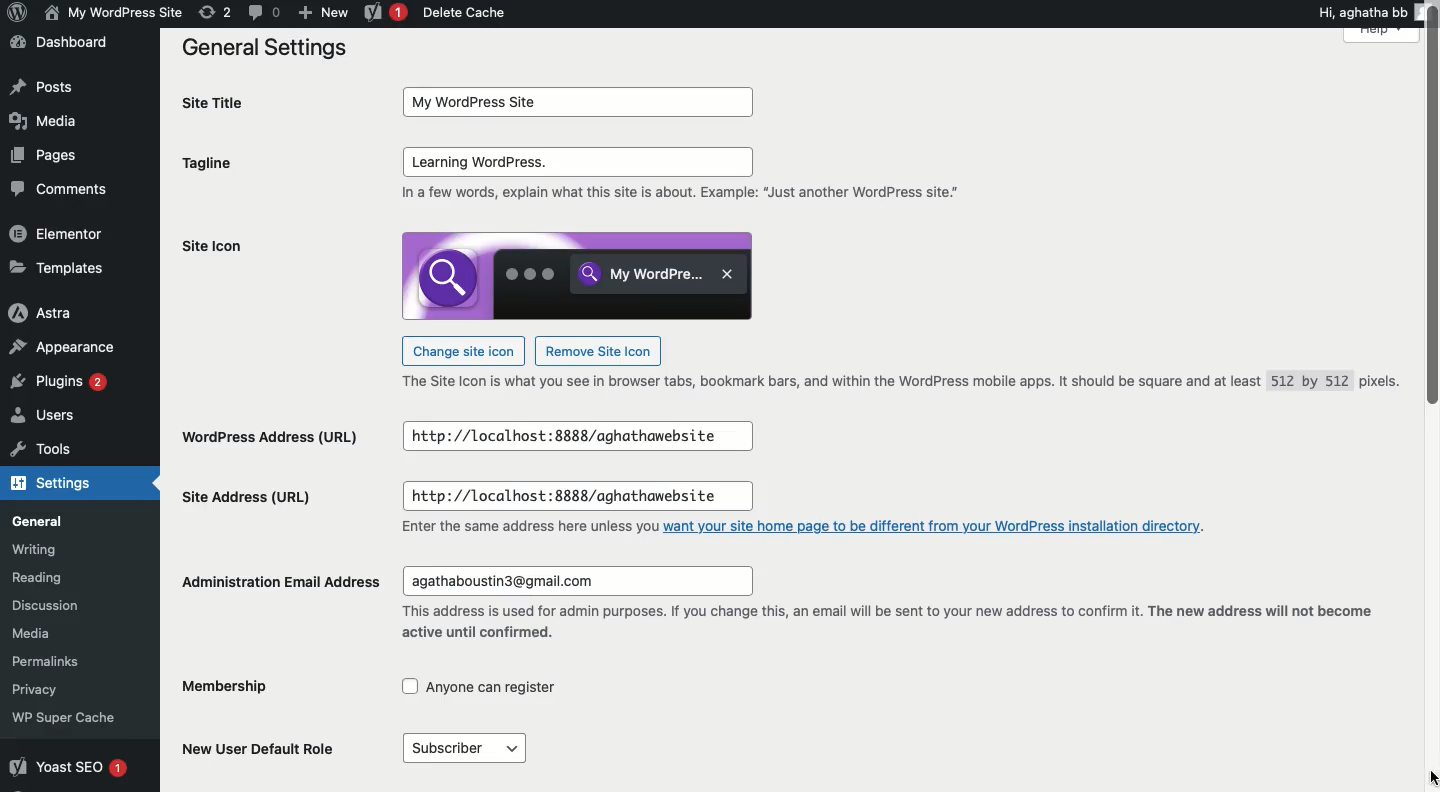 Image resolution: width=1440 pixels, height=792 pixels. What do you see at coordinates (592, 437) in the screenshot?
I see ` http: //localhost :8888/aghathawebsite ` at bounding box center [592, 437].